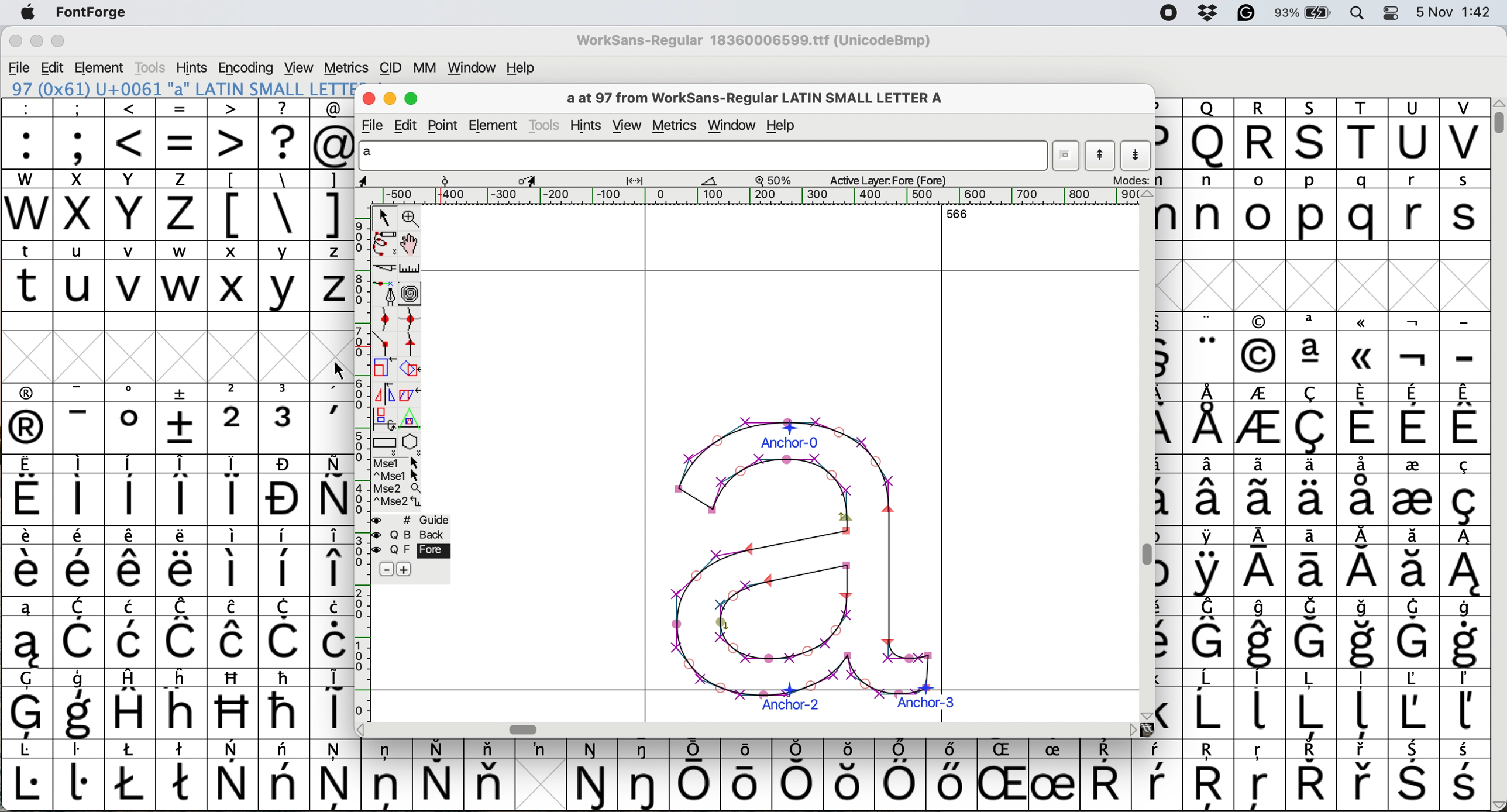  I want to click on T, so click(1365, 135).